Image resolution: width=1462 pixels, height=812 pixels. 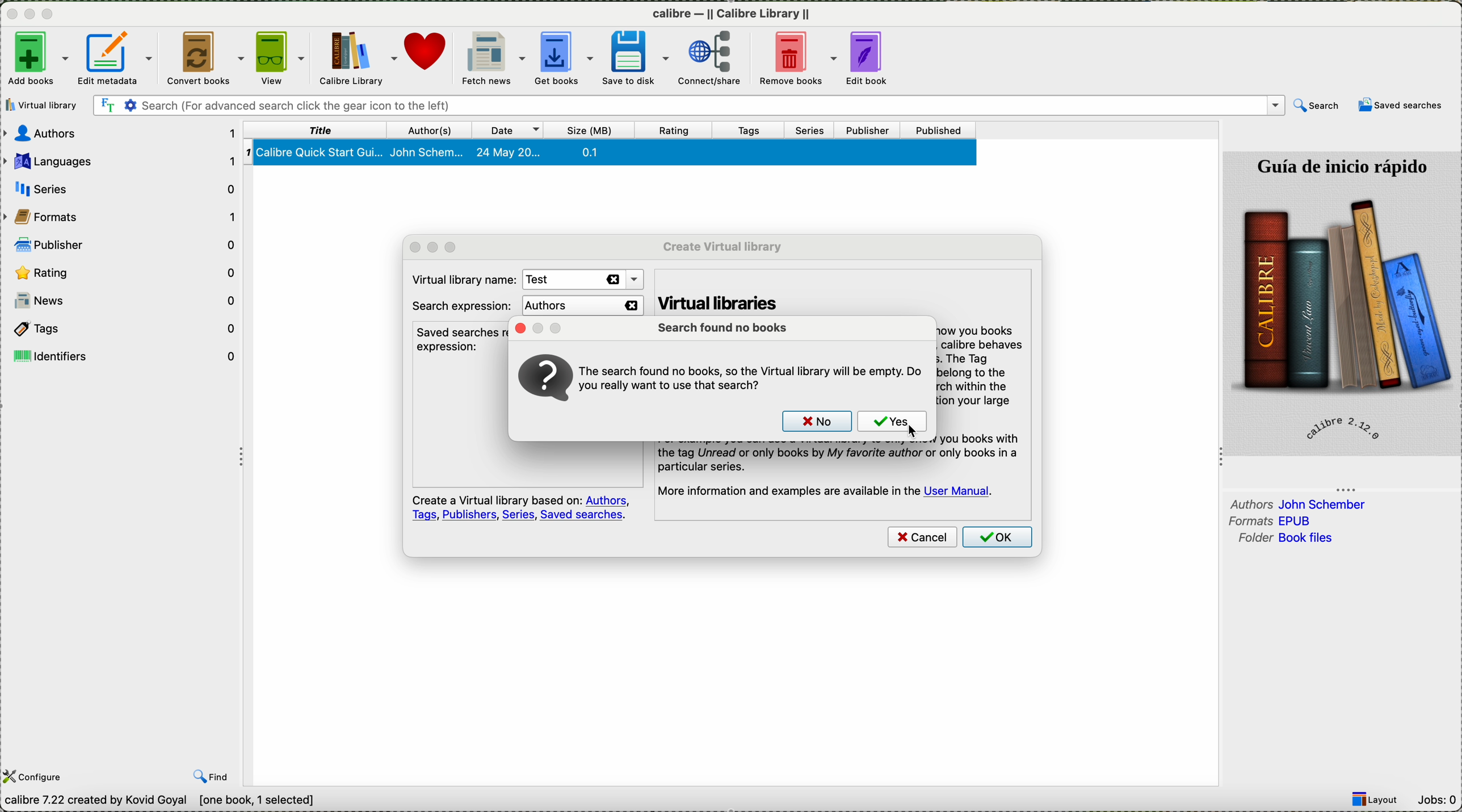 What do you see at coordinates (123, 135) in the screenshot?
I see `authors` at bounding box center [123, 135].